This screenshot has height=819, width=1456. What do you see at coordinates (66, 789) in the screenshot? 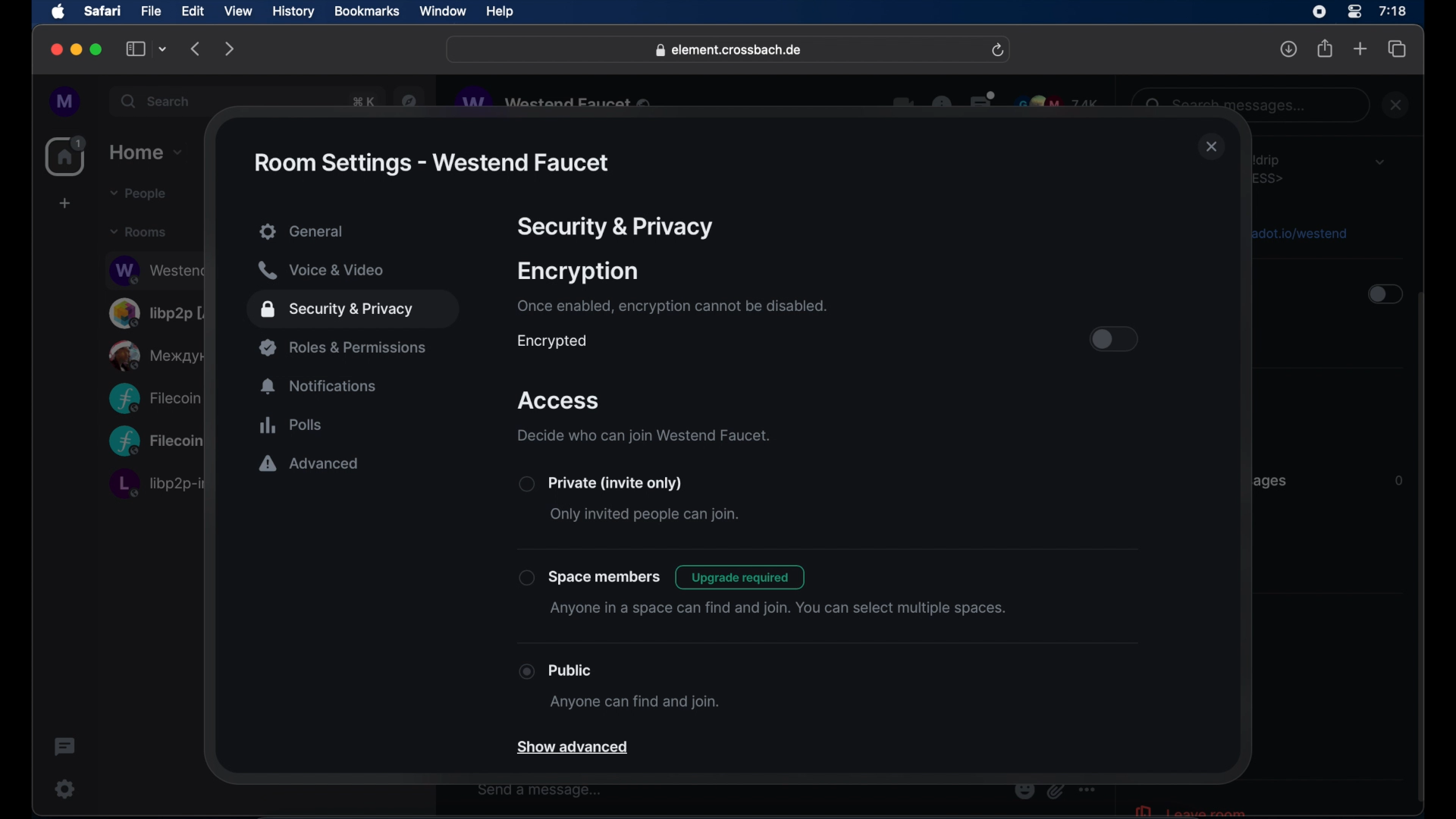
I see `settings` at bounding box center [66, 789].